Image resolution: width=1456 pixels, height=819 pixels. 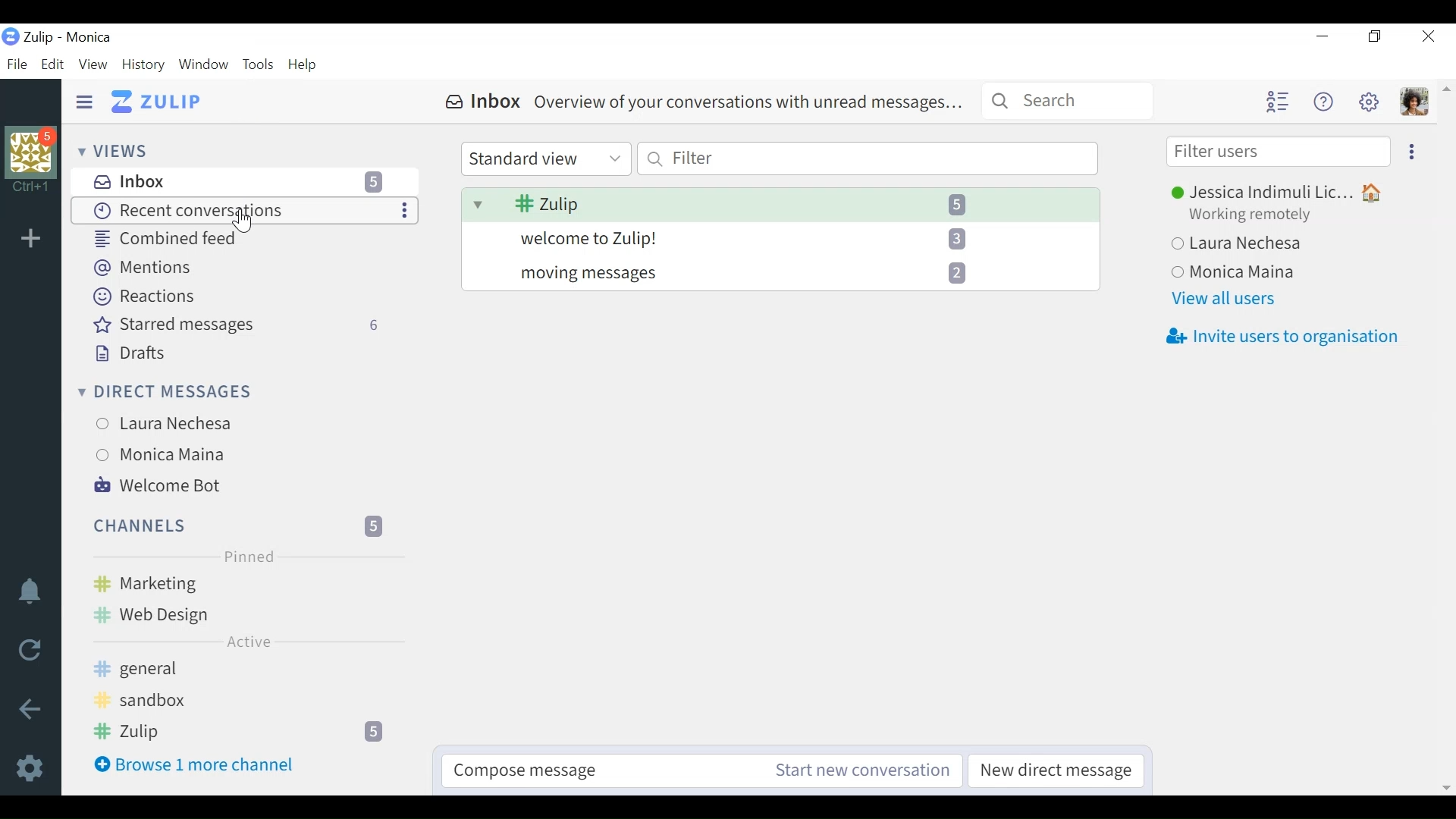 What do you see at coordinates (1427, 36) in the screenshot?
I see `Close` at bounding box center [1427, 36].